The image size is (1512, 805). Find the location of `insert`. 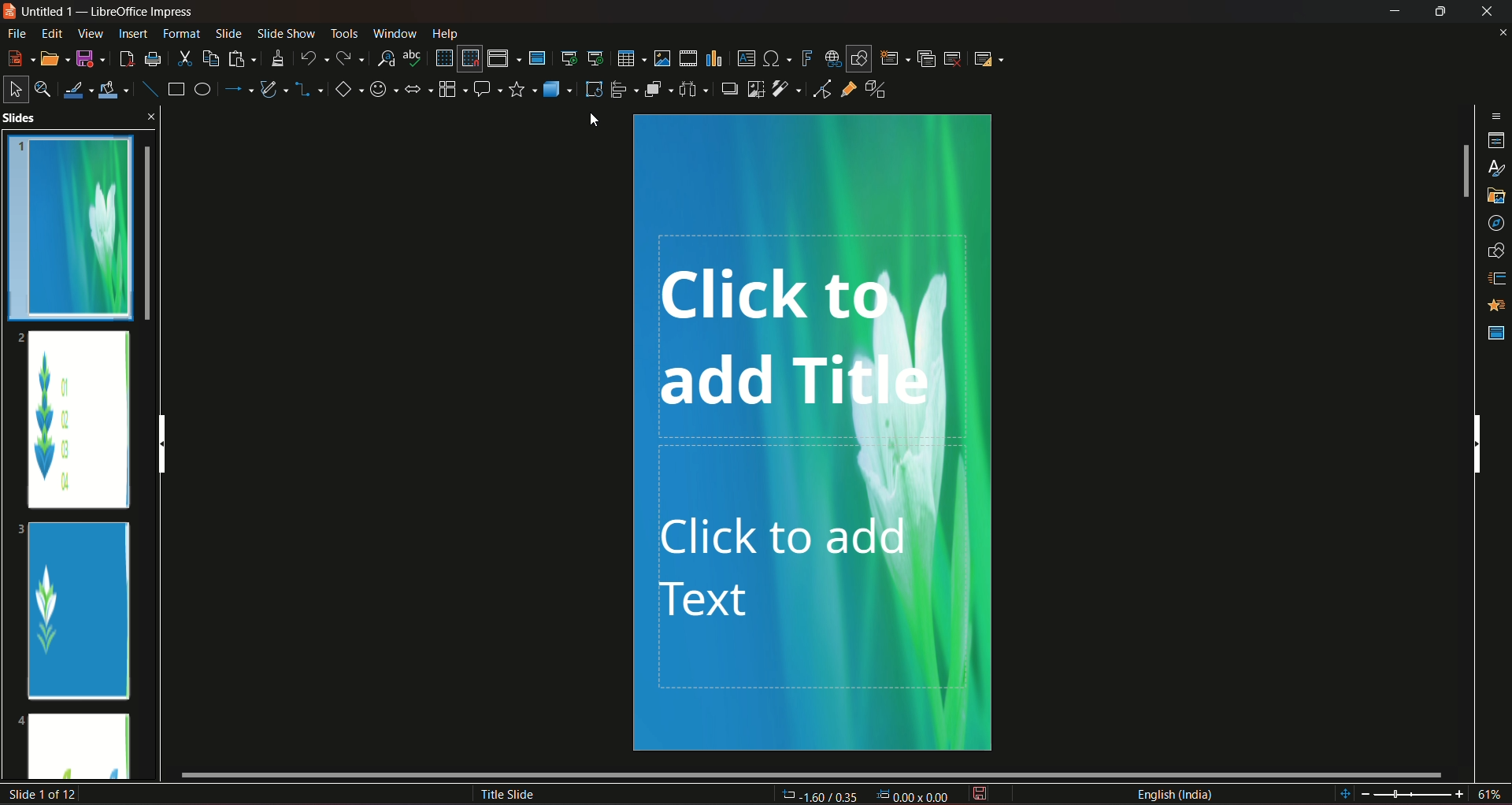

insert is located at coordinates (131, 33).